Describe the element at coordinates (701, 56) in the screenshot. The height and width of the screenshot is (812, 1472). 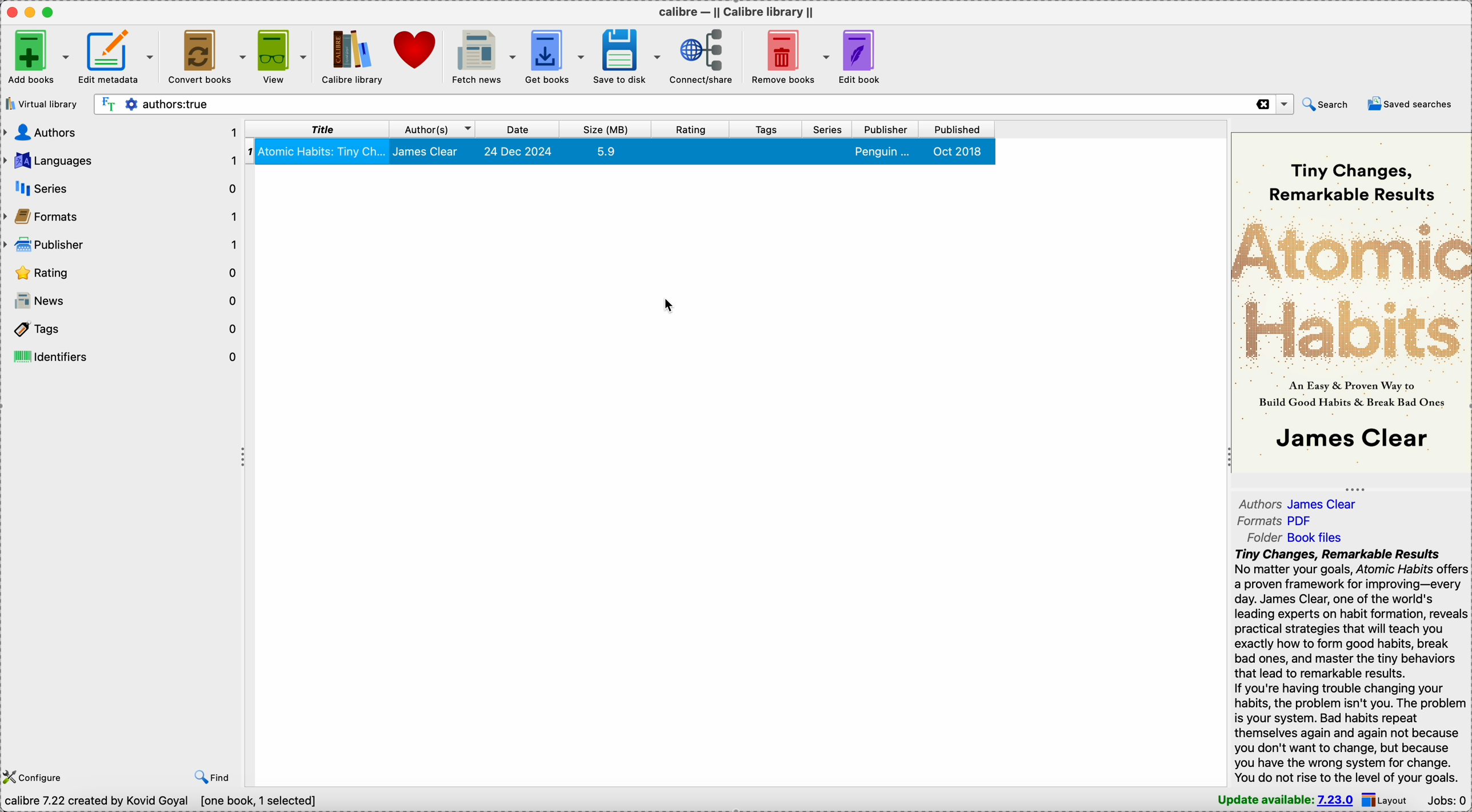
I see `connect/share` at that location.